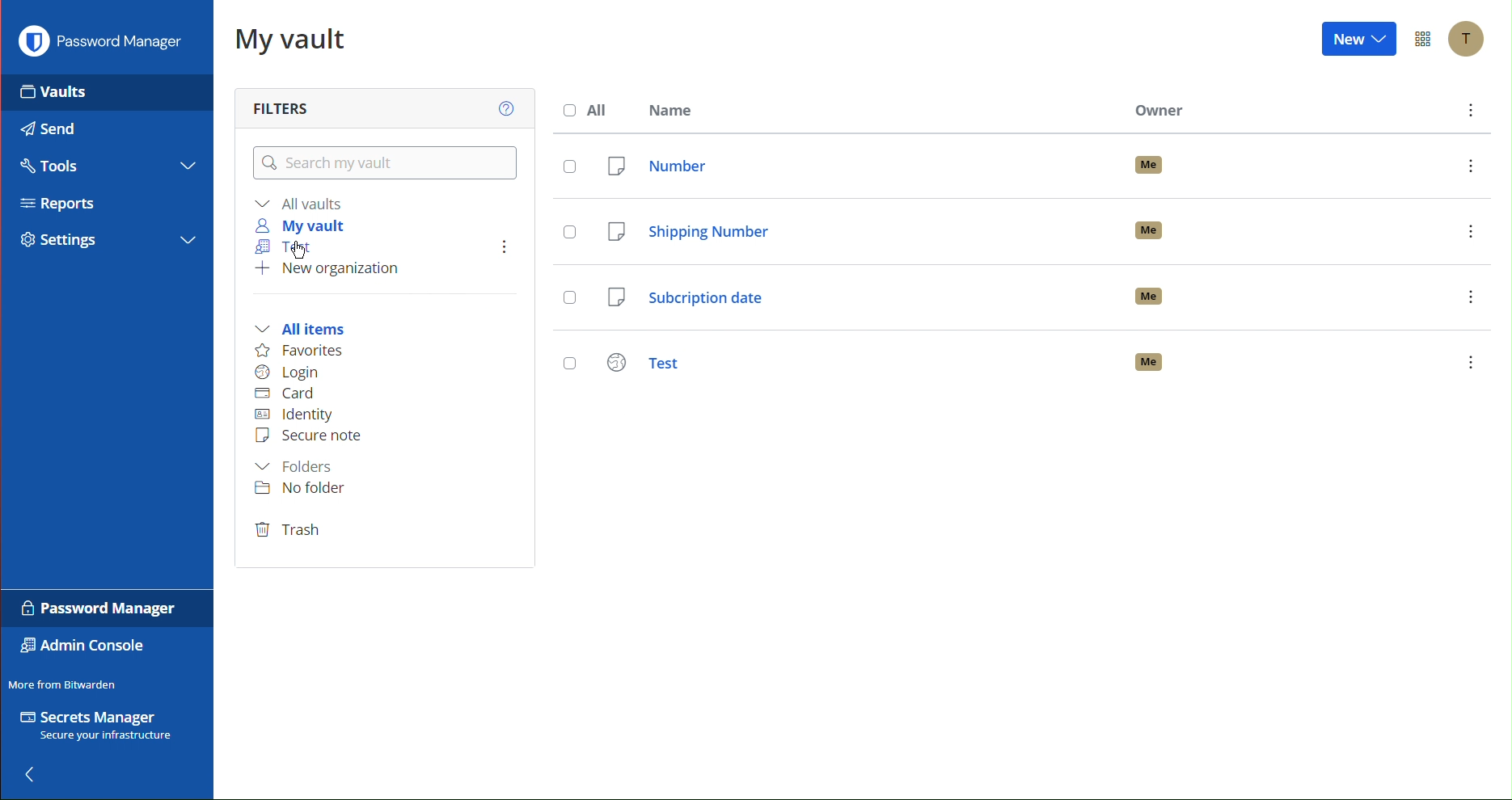 Image resolution: width=1512 pixels, height=800 pixels. What do you see at coordinates (506, 110) in the screenshot?
I see `Help` at bounding box center [506, 110].